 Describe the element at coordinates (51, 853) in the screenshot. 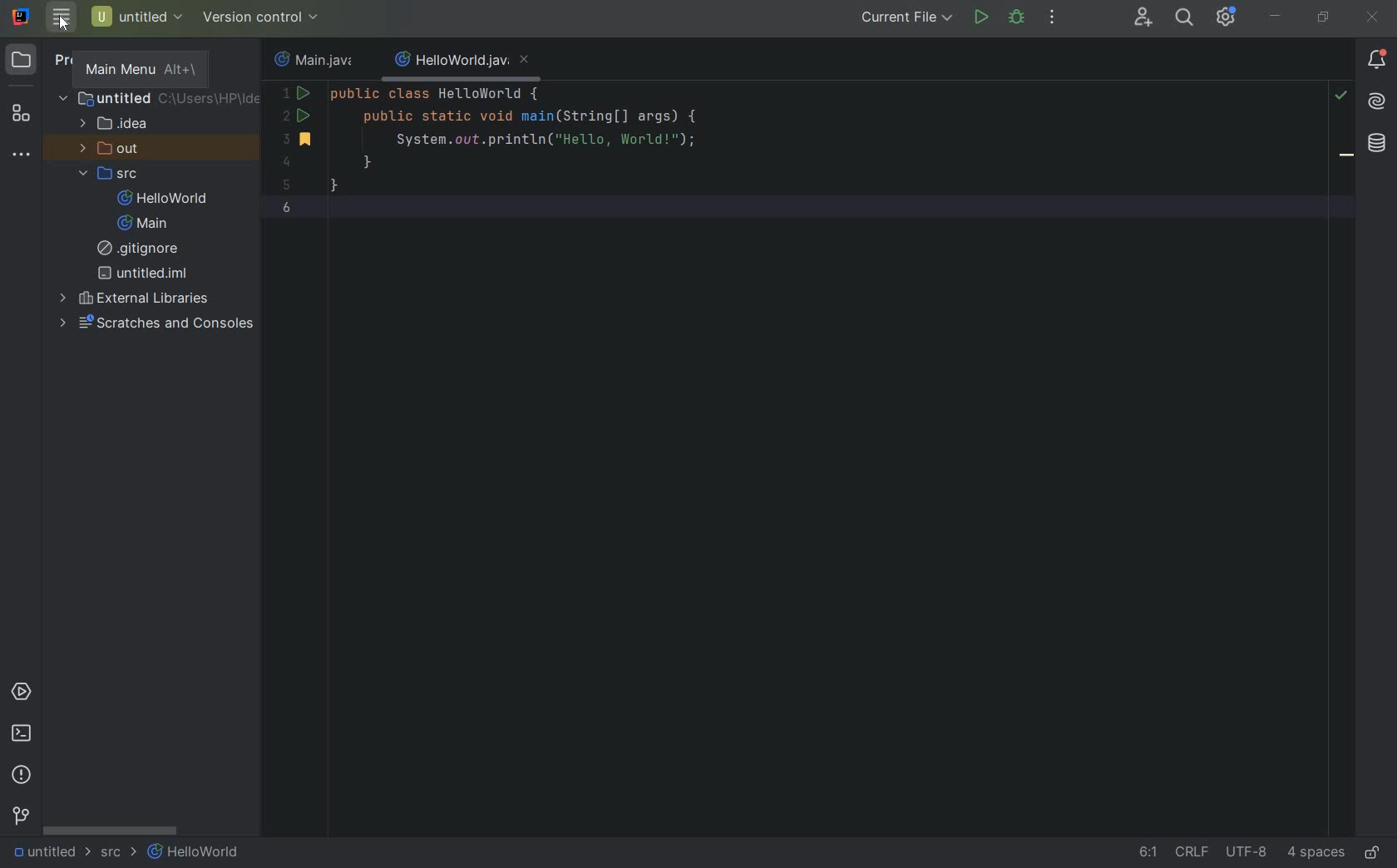

I see `UNTITLED` at that location.